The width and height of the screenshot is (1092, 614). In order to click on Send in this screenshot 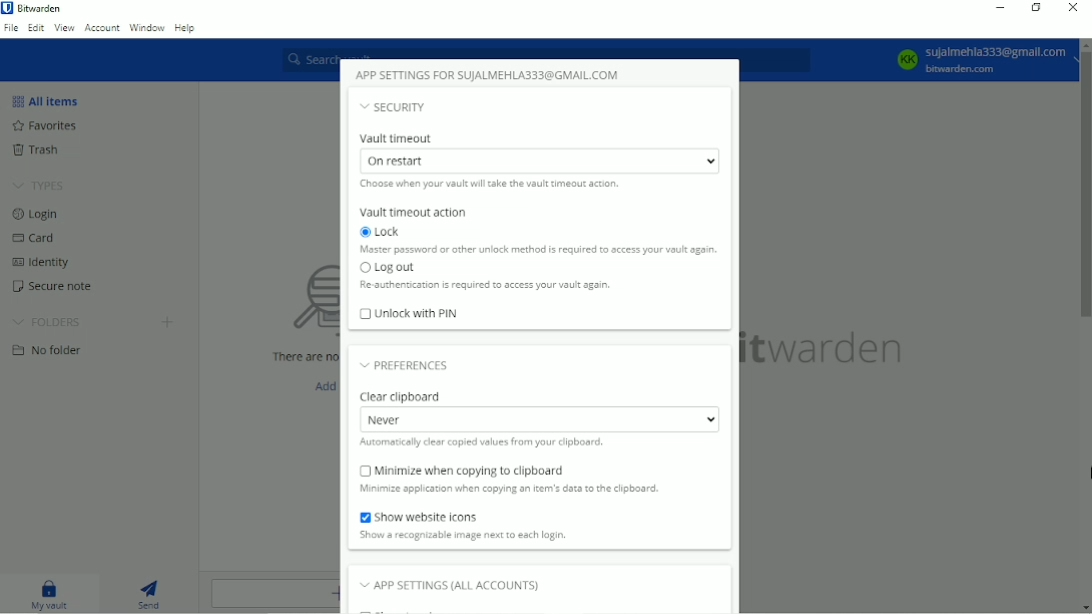, I will do `click(150, 592)`.